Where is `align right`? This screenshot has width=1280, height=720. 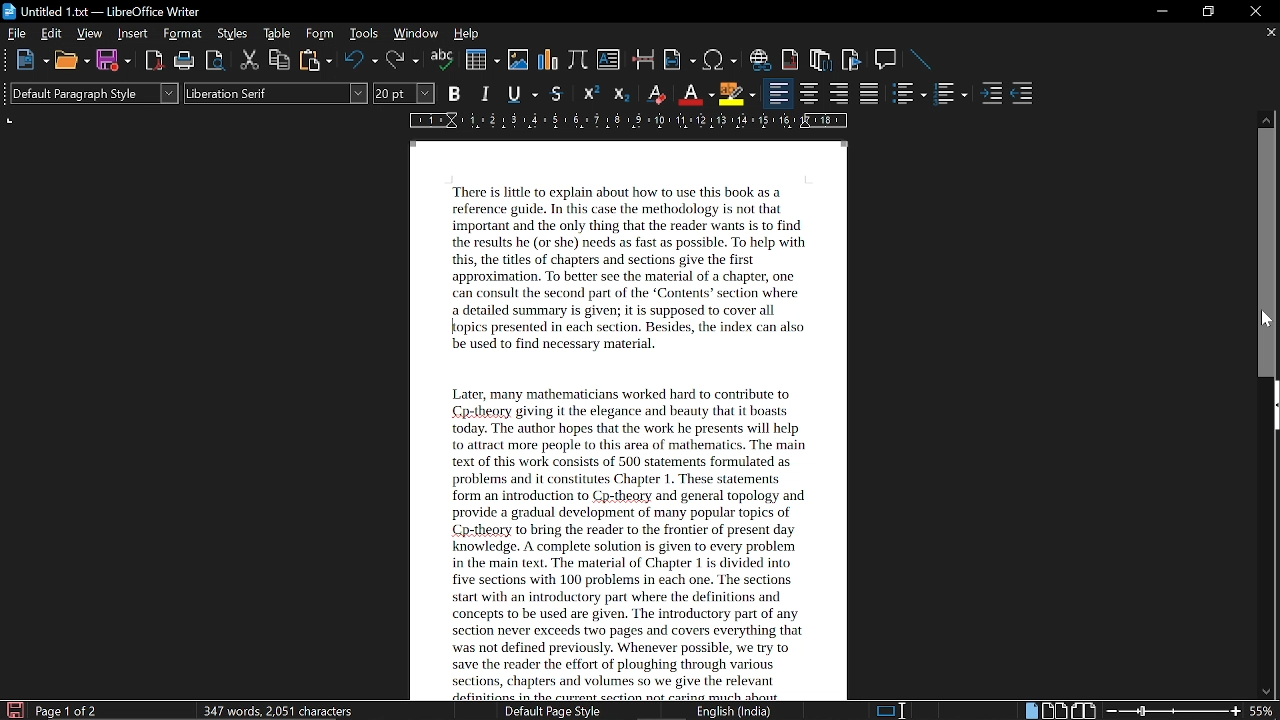 align right is located at coordinates (839, 95).